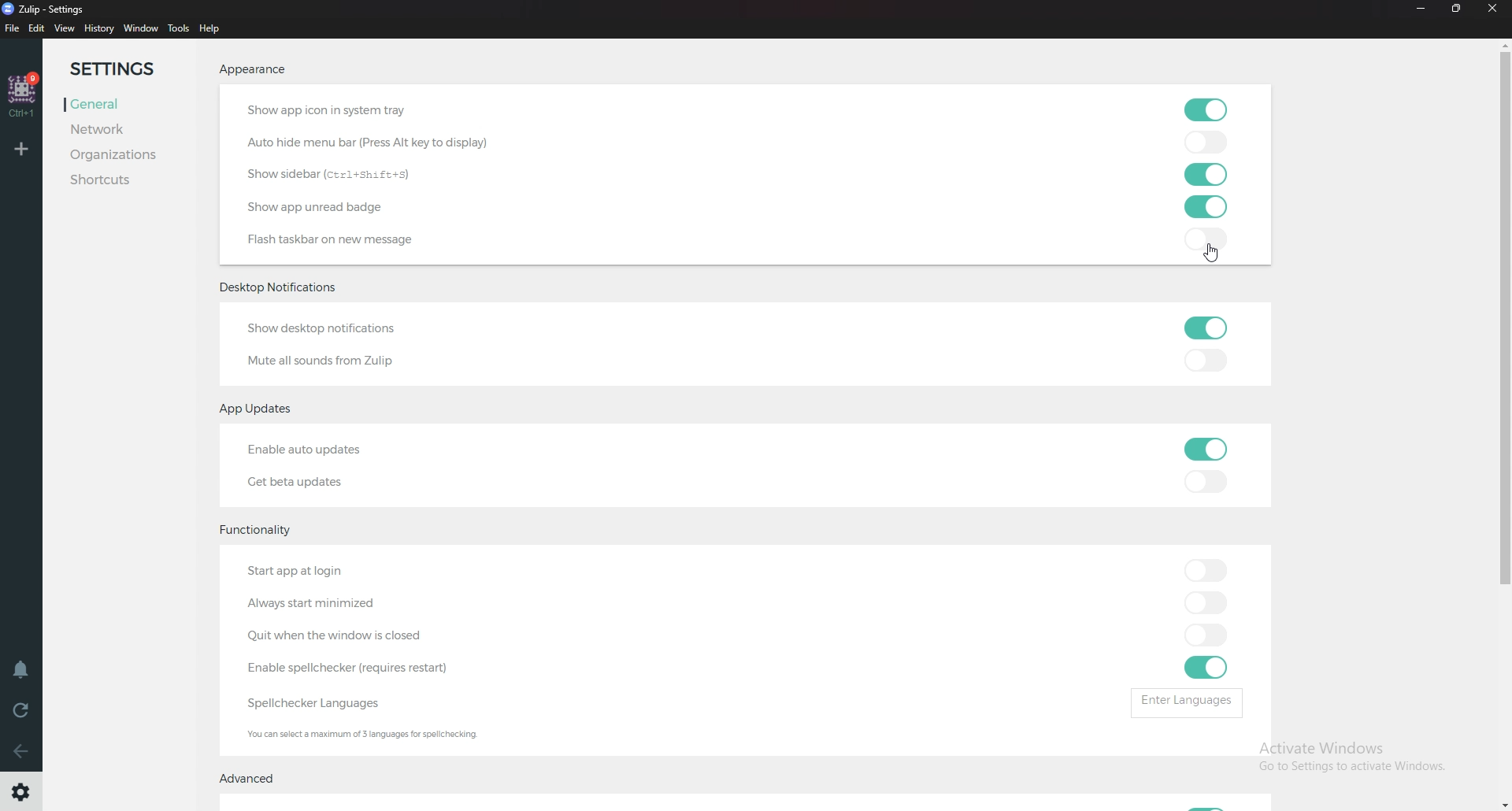 The width and height of the screenshot is (1512, 811). What do you see at coordinates (1206, 667) in the screenshot?
I see `toggle` at bounding box center [1206, 667].